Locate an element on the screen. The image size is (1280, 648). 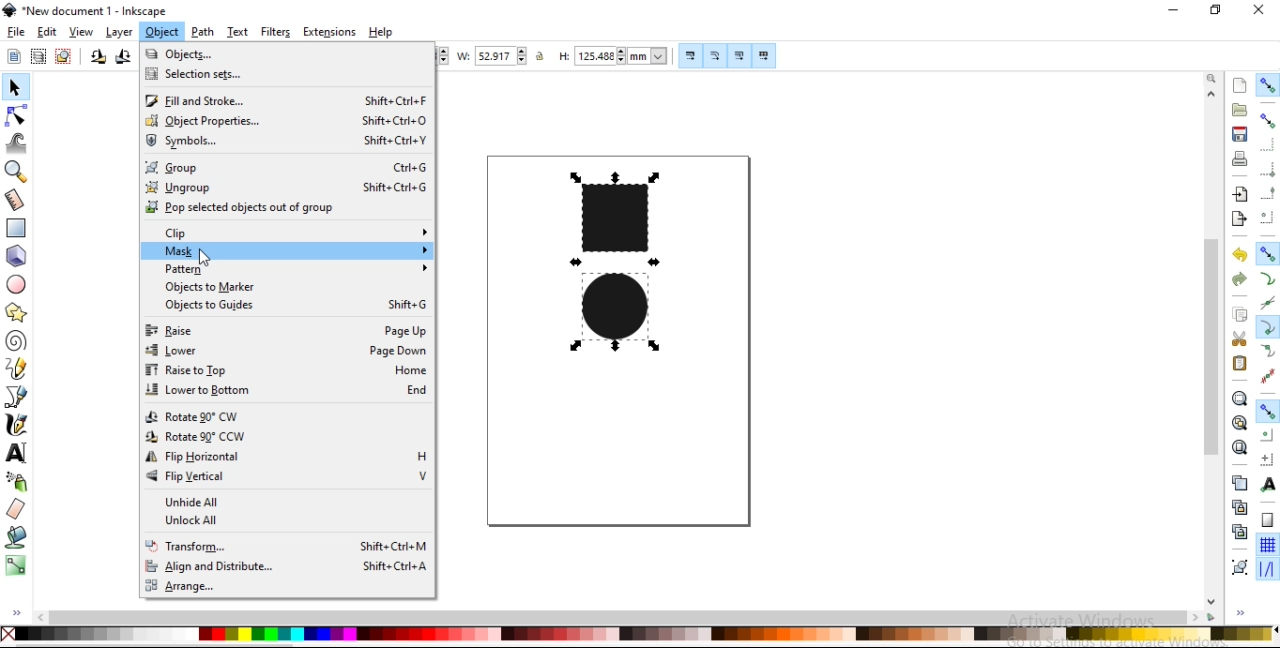
snap to path intersections is located at coordinates (1266, 301).